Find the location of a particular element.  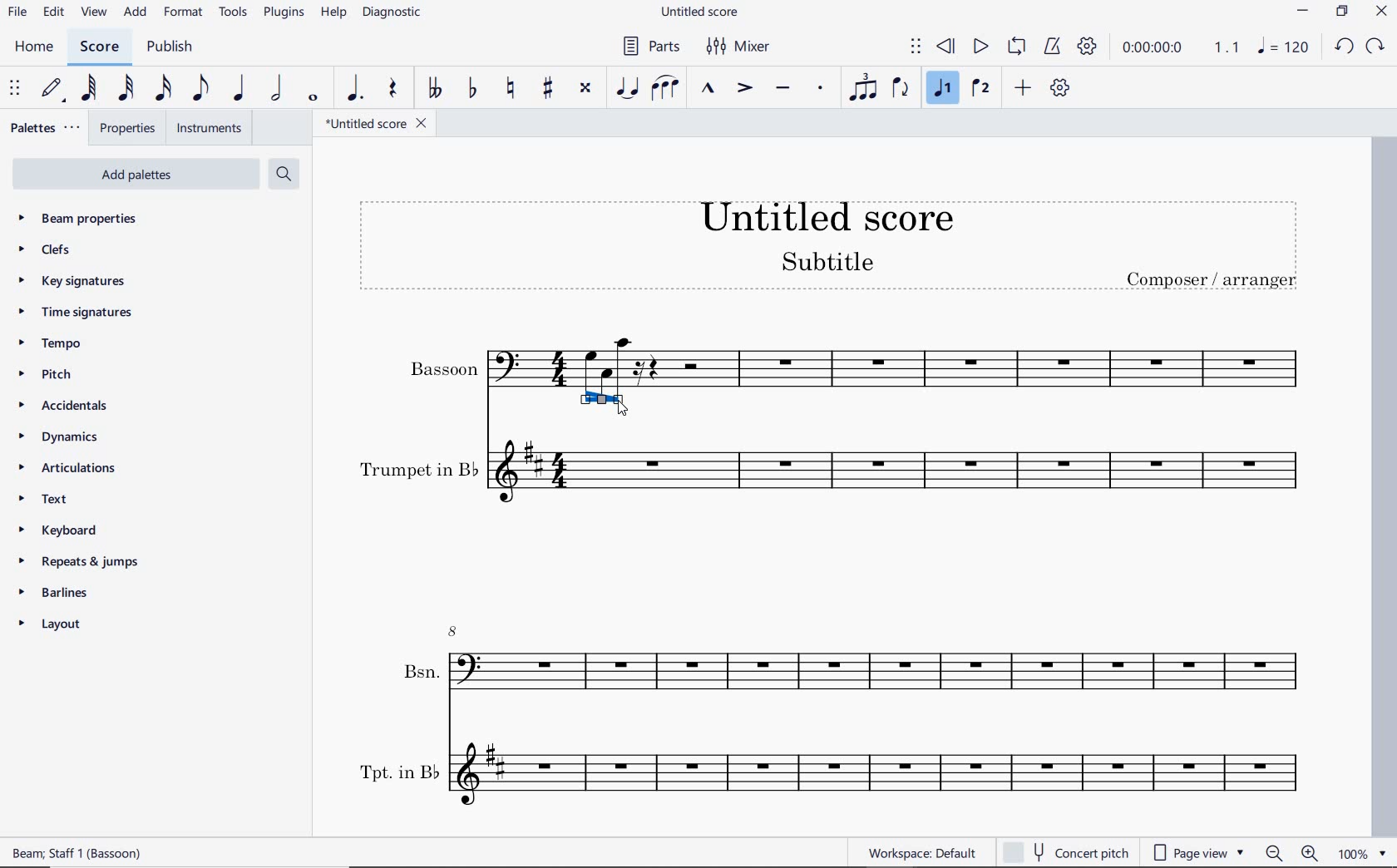

rewind is located at coordinates (946, 47).